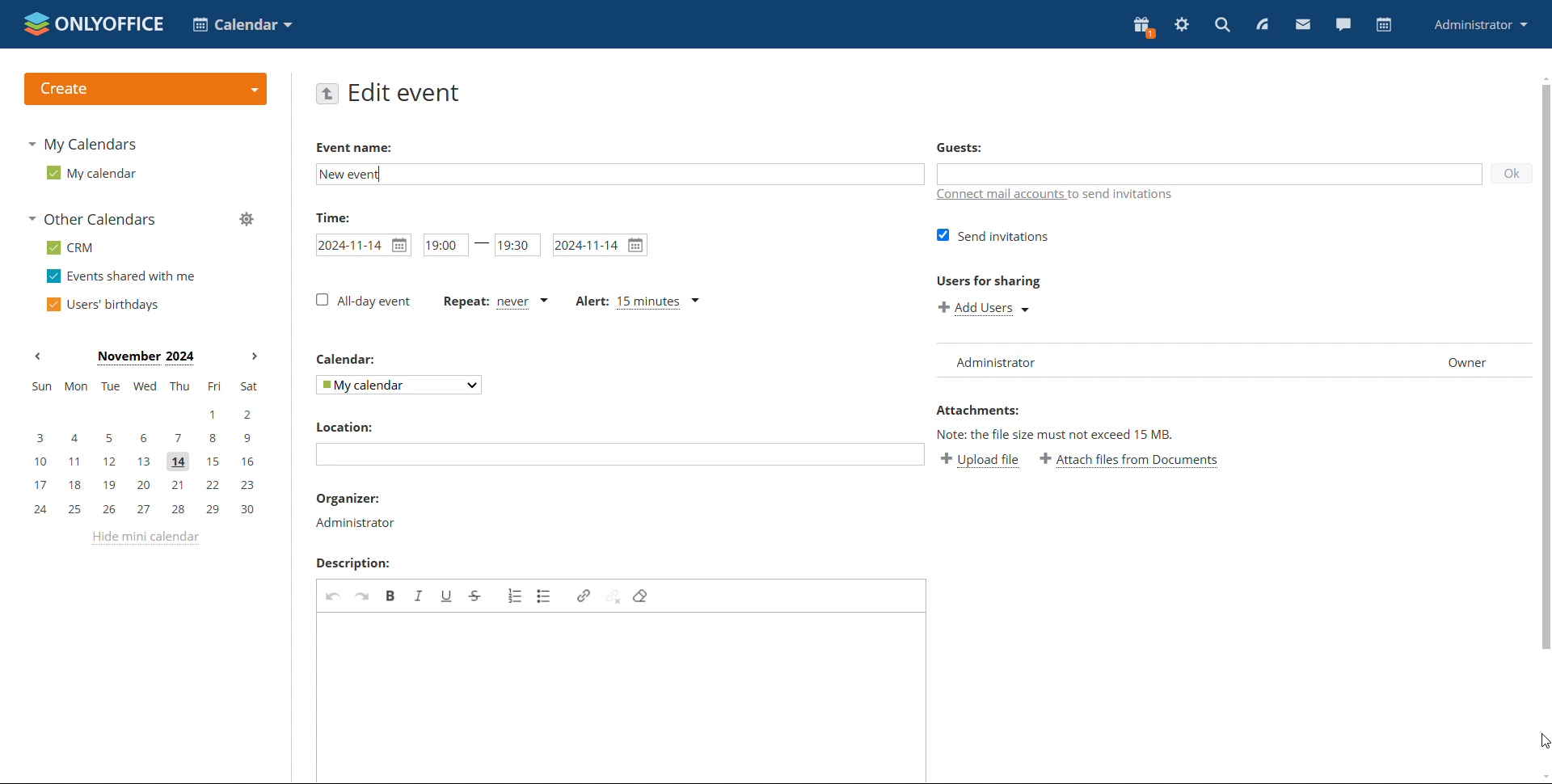  I want to click on end date, so click(599, 246).